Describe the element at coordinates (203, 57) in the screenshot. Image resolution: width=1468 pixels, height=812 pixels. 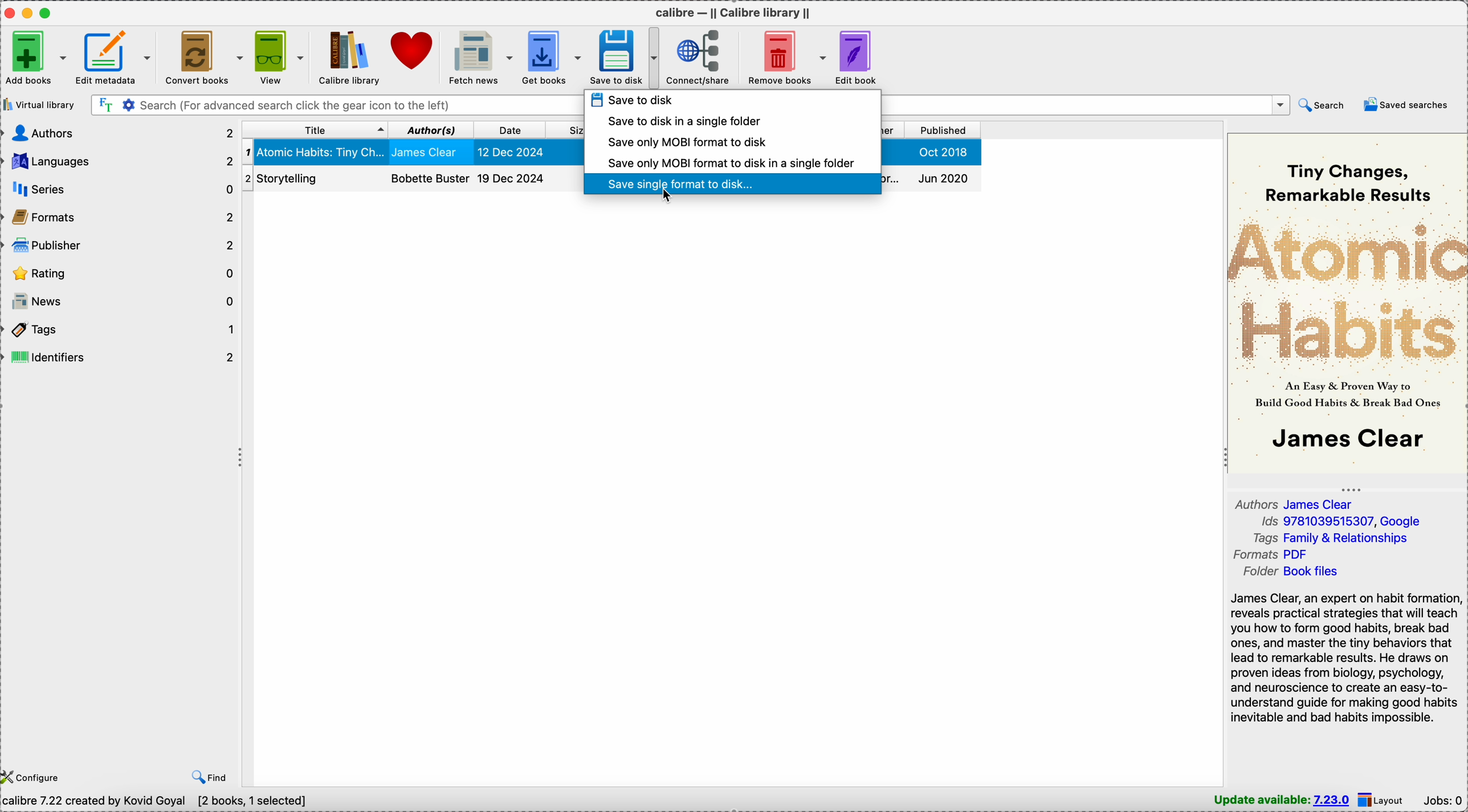
I see `convert books` at that location.